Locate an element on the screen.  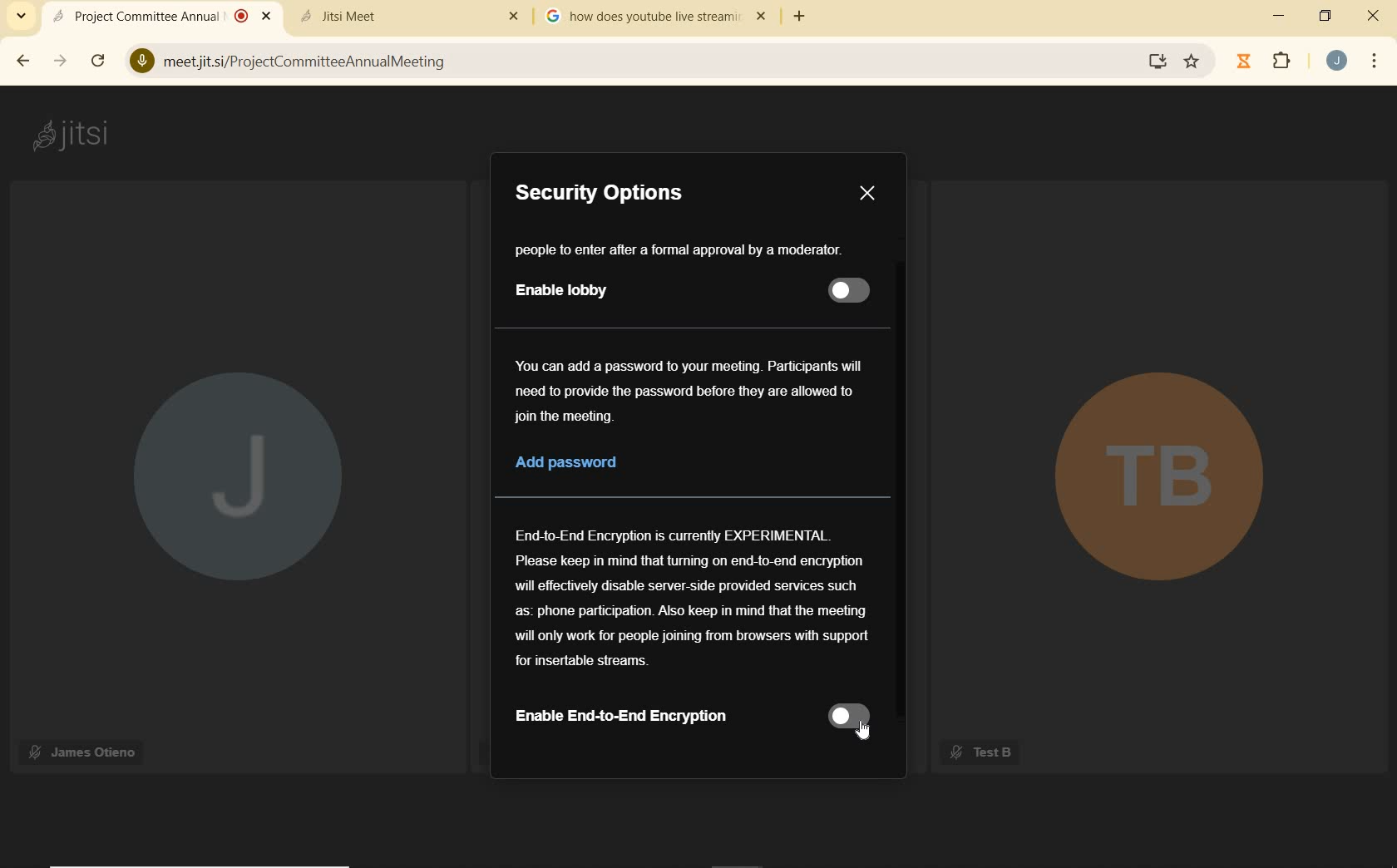
Project Committee Annual is located at coordinates (161, 16).